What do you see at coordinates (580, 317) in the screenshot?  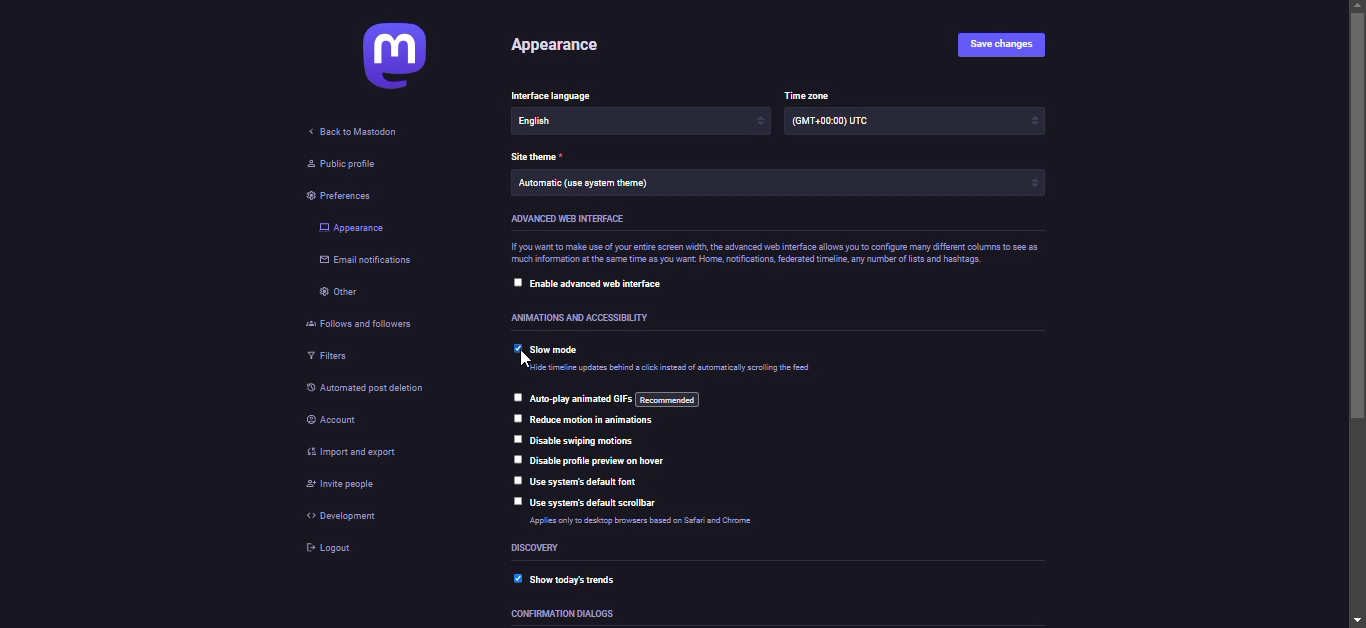 I see `animations and accessibility` at bounding box center [580, 317].